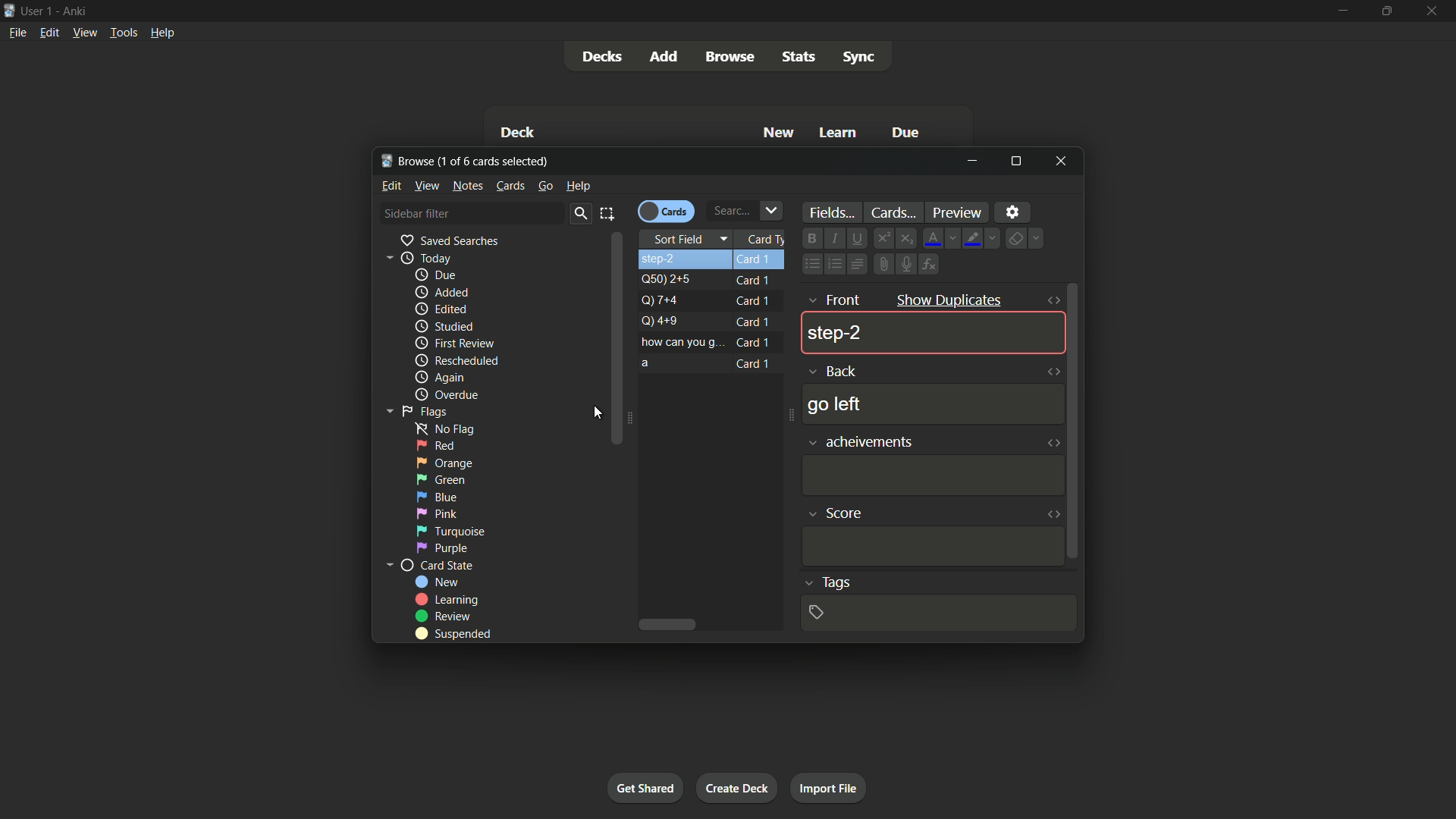 Image resolution: width=1456 pixels, height=819 pixels. Describe the element at coordinates (839, 134) in the screenshot. I see `Learn` at that location.